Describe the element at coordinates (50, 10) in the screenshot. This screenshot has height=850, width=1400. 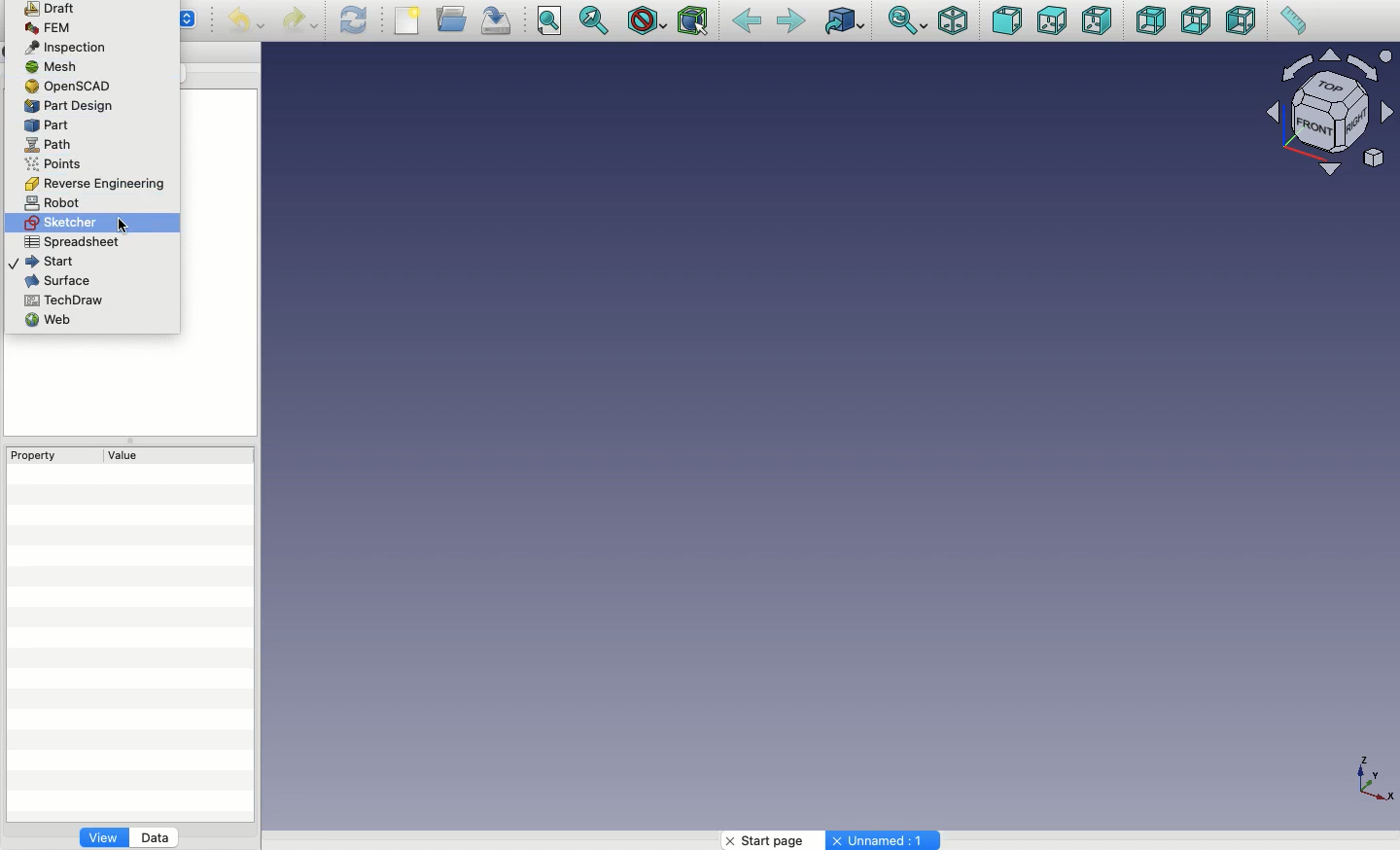
I see `Draft` at that location.